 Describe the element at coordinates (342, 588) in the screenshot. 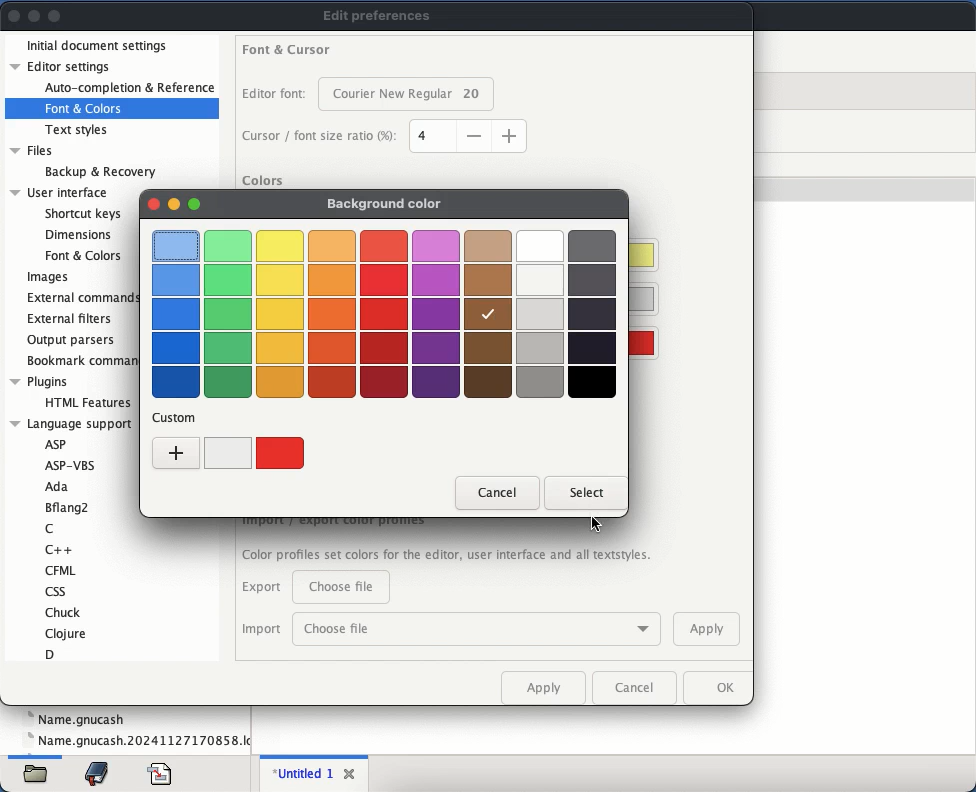

I see `choose file` at that location.